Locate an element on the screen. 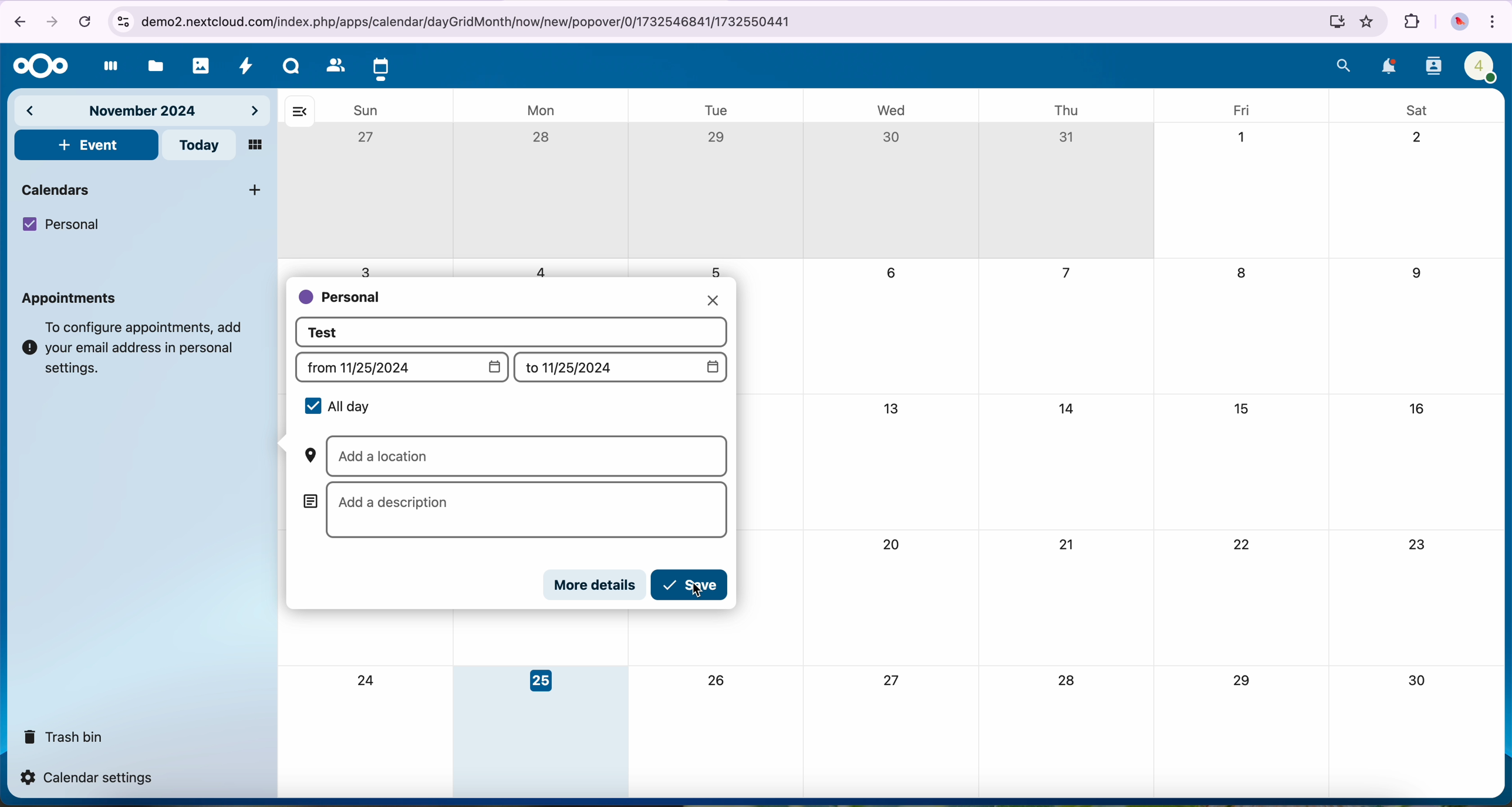  31 is located at coordinates (1066, 139).